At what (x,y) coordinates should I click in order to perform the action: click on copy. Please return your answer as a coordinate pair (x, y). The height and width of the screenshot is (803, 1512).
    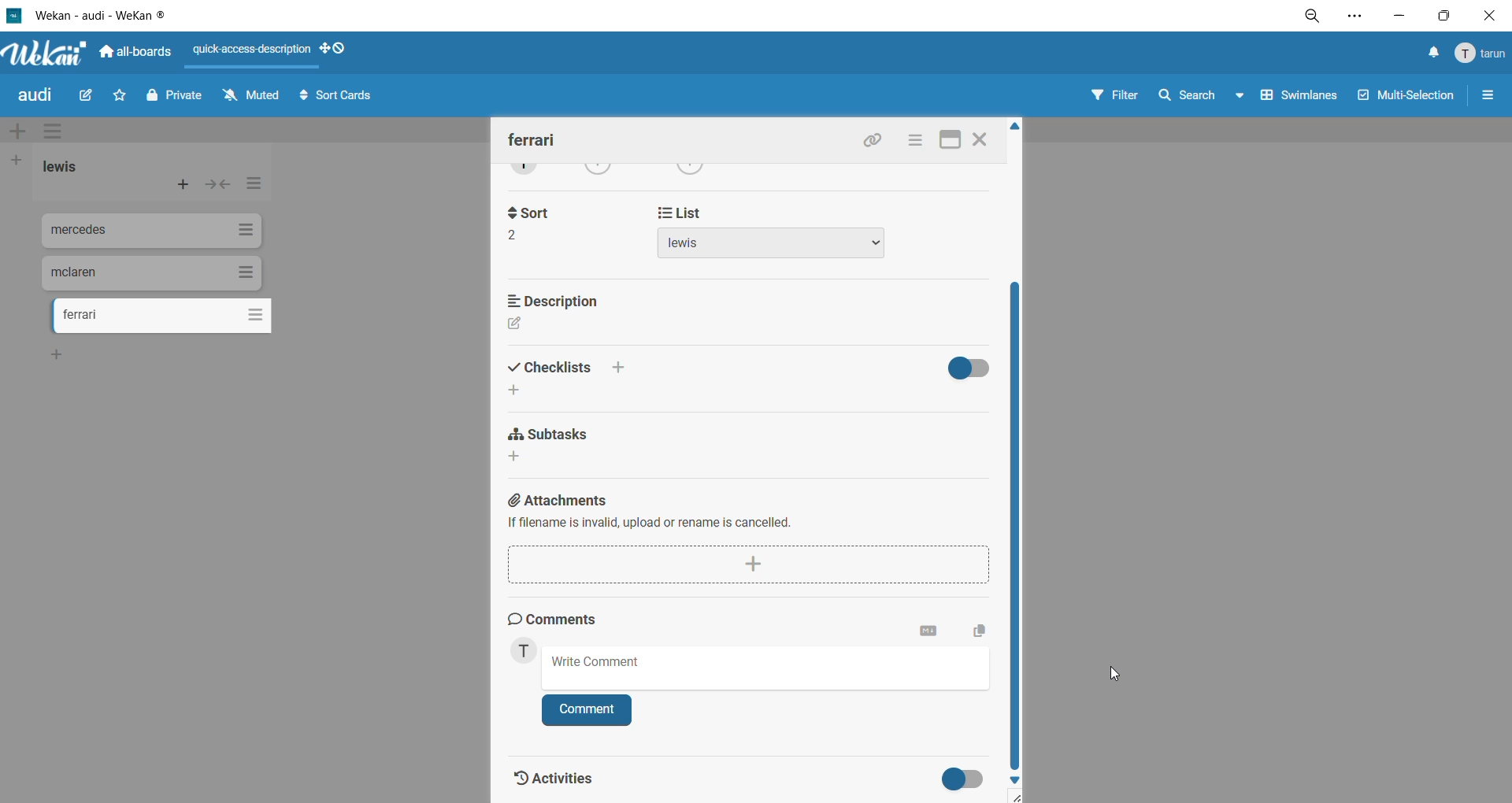
    Looking at the image, I should click on (977, 628).